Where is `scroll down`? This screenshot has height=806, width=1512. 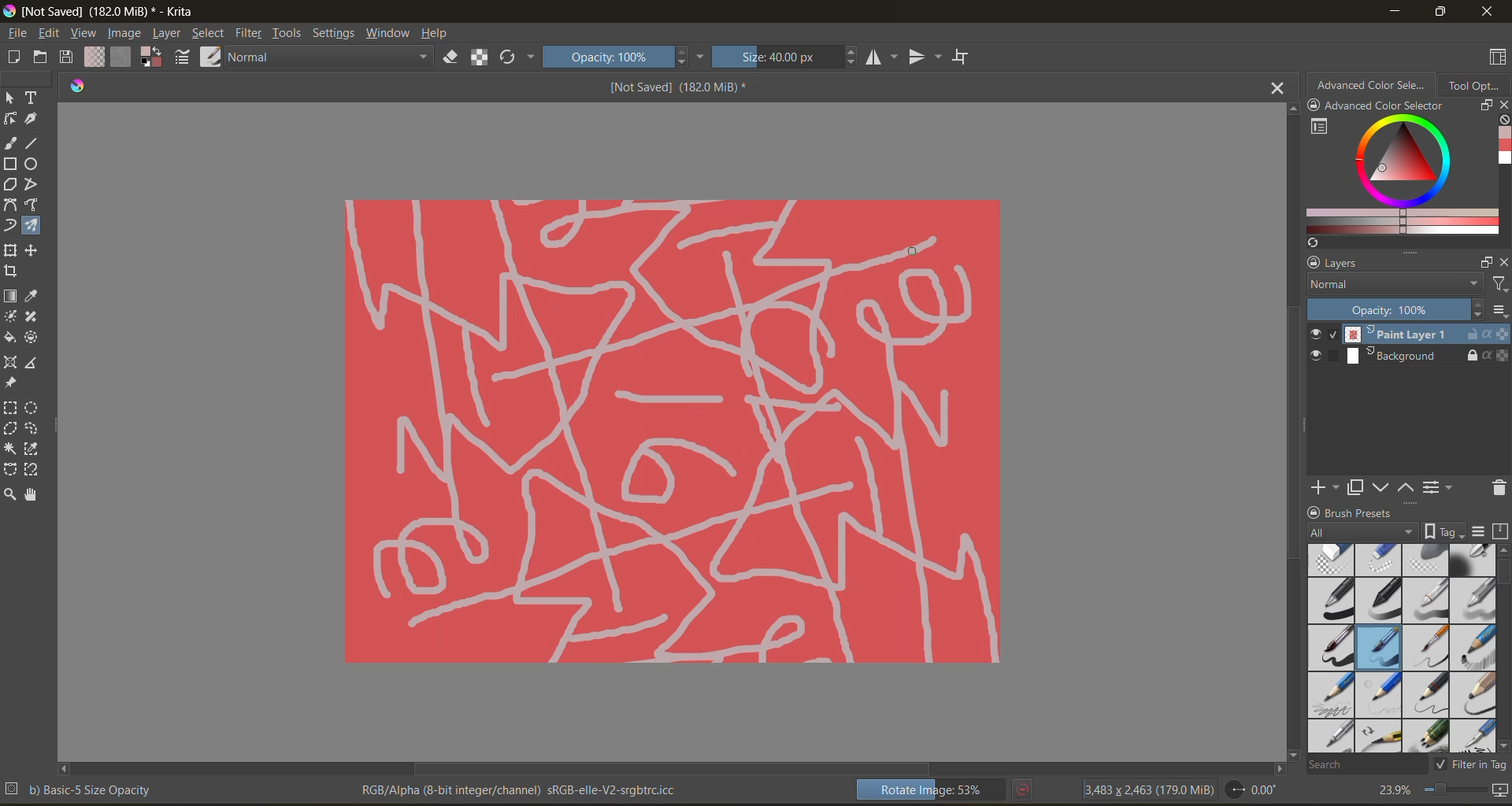
scroll down is located at coordinates (1291, 752).